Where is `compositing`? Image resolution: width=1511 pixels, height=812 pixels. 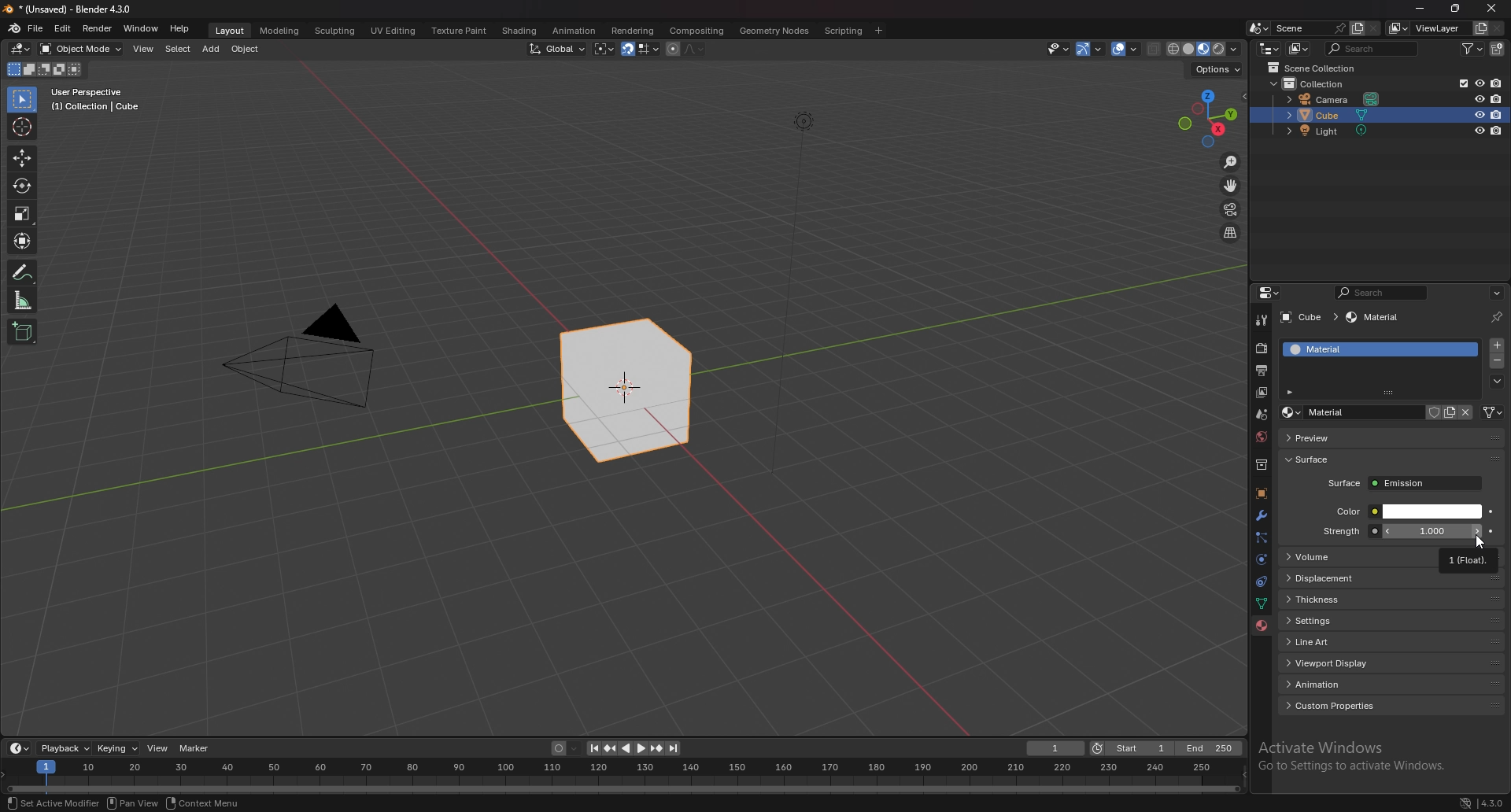
compositing is located at coordinates (696, 31).